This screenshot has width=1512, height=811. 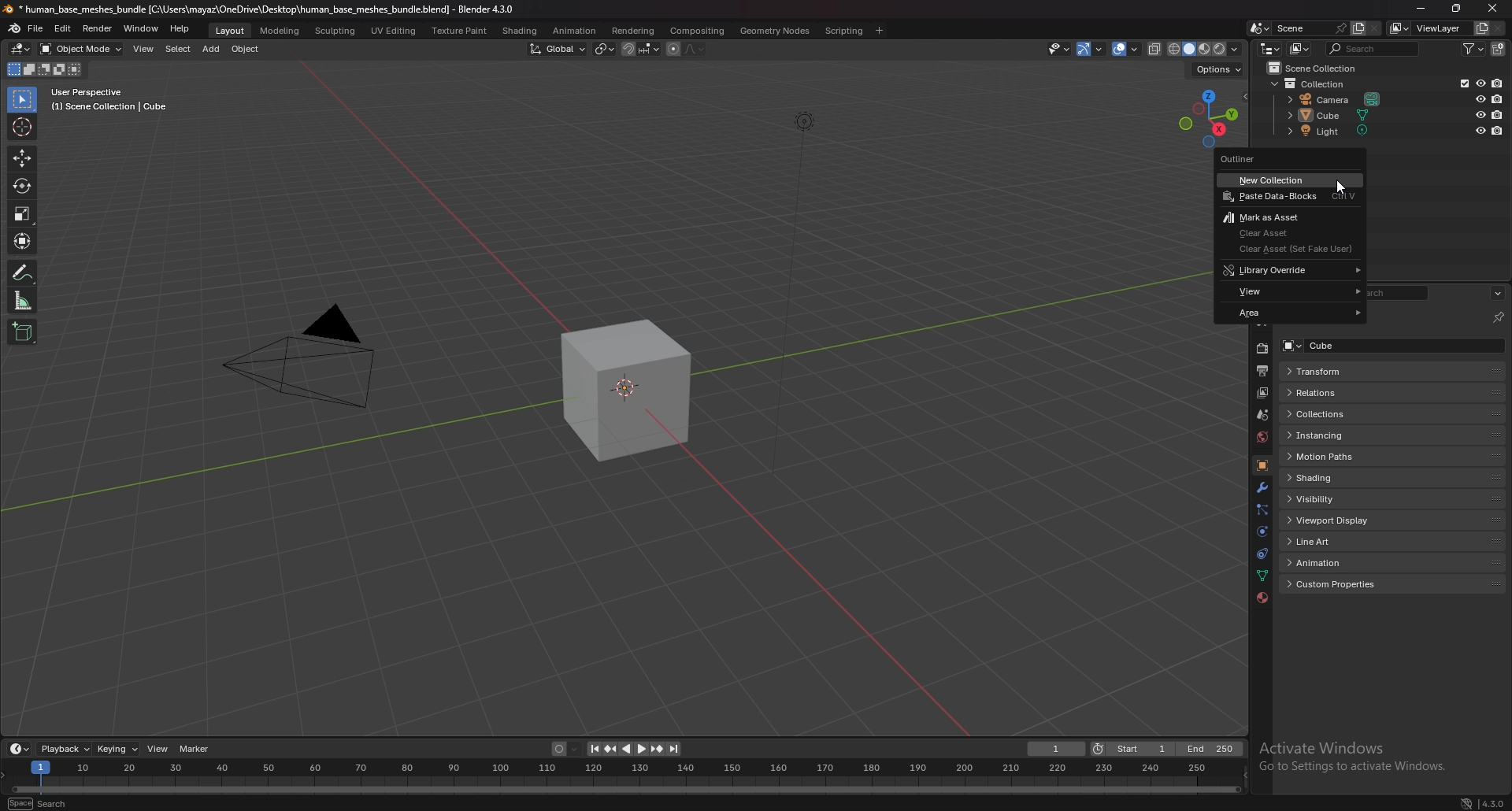 I want to click on scene, so click(x=1294, y=28).